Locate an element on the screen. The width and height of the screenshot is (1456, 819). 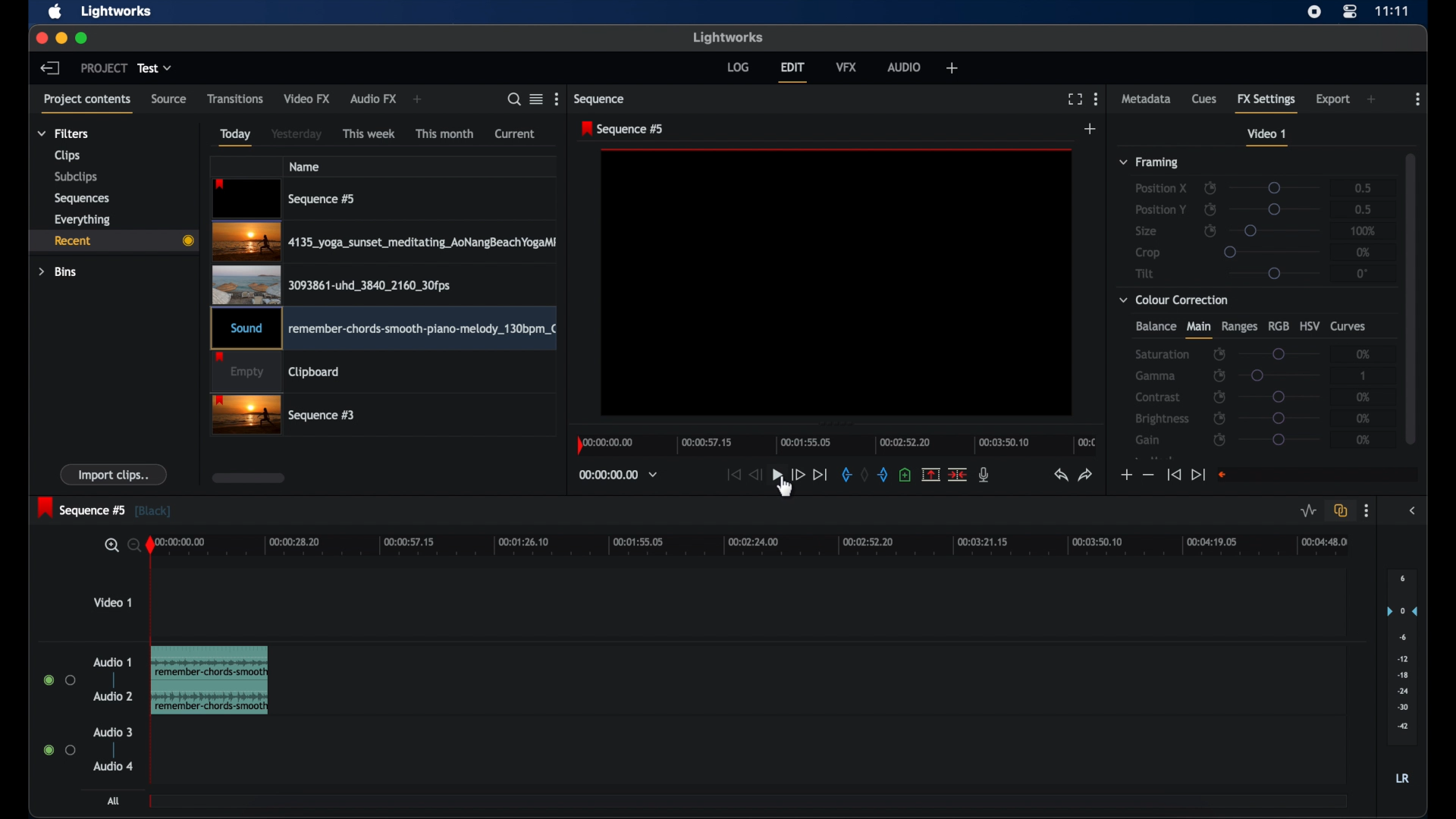
0% is located at coordinates (1364, 353).